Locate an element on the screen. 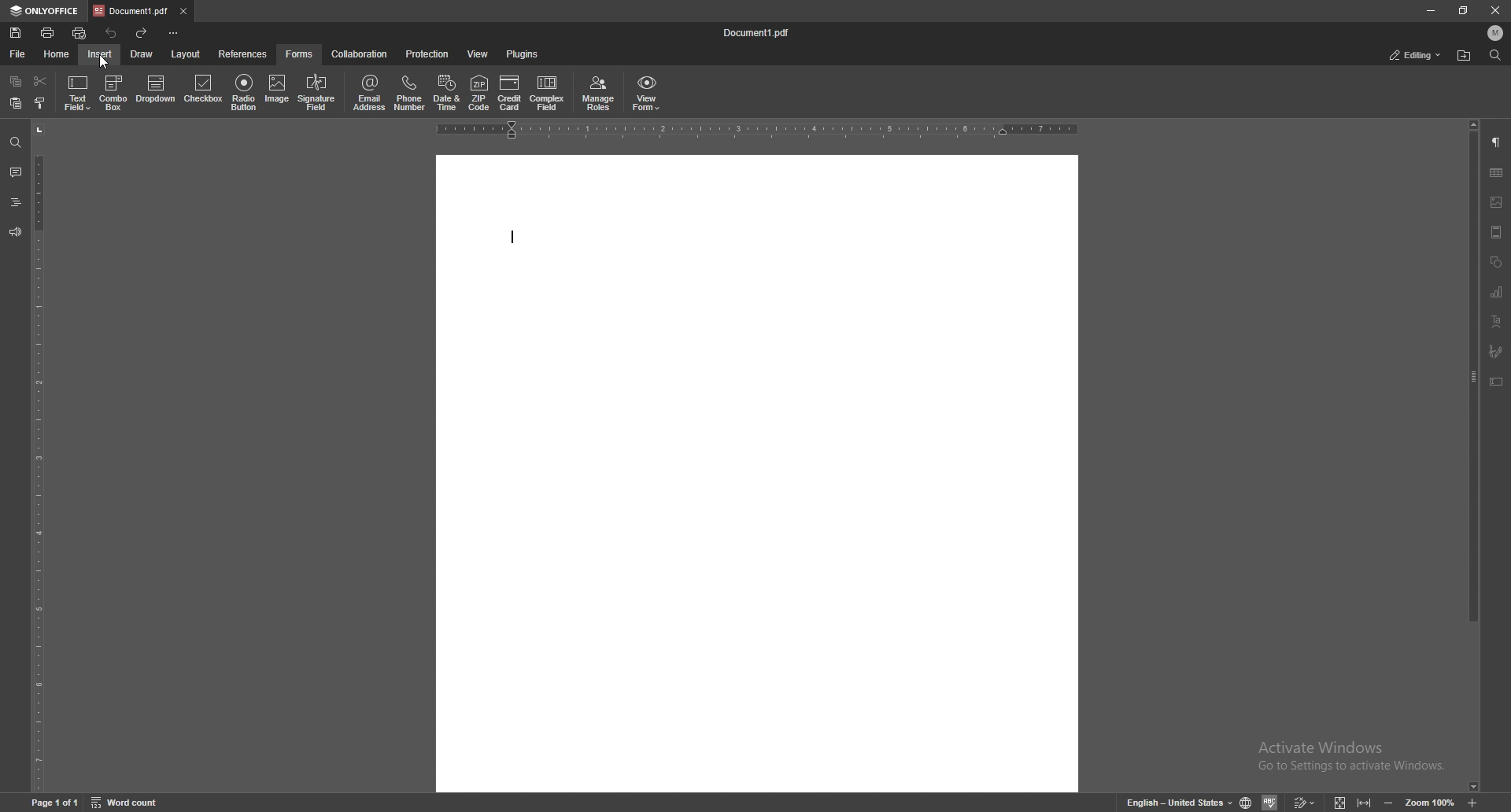  quick print is located at coordinates (79, 35).